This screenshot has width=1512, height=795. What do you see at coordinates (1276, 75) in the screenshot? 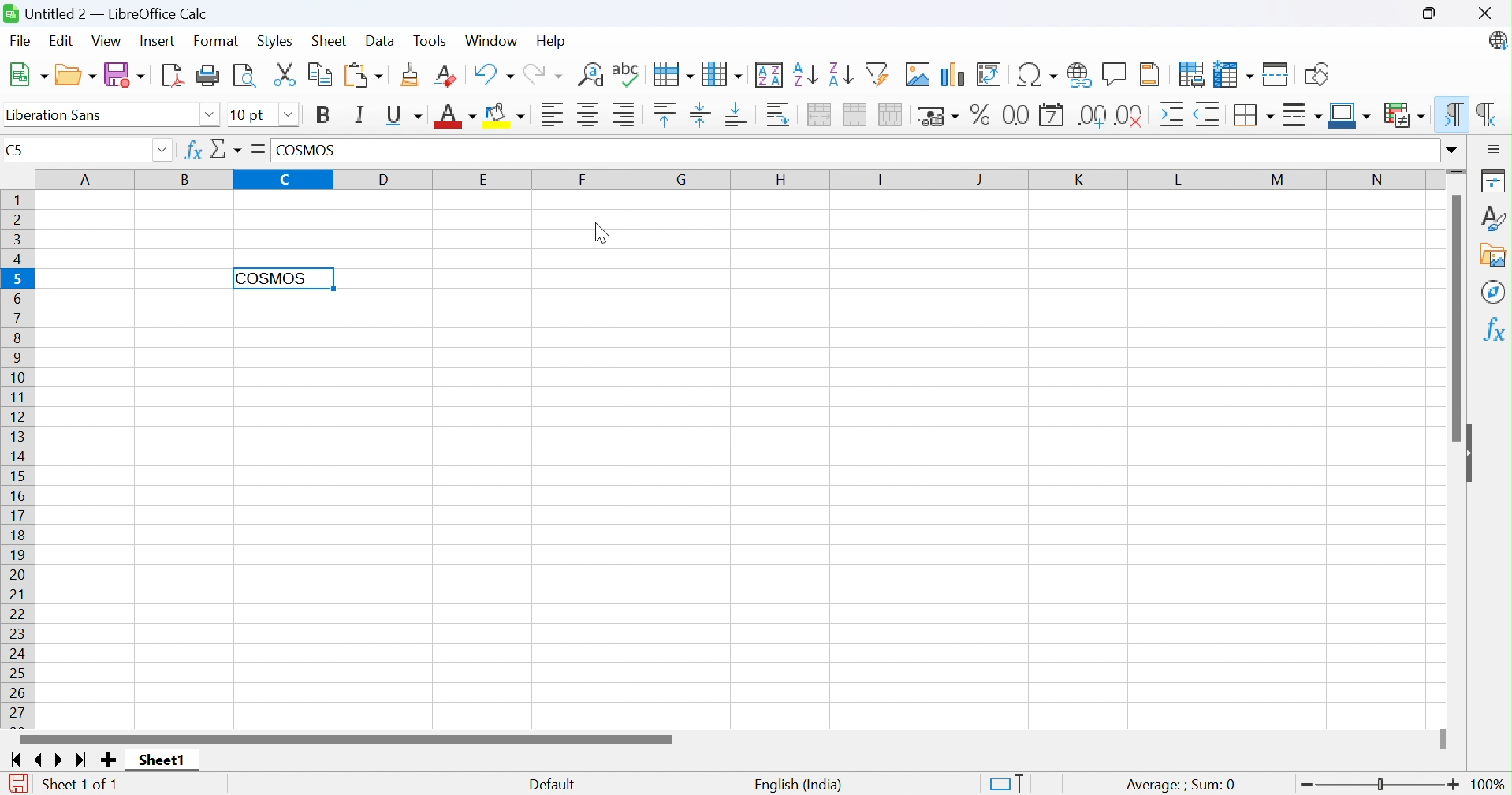
I see `Split window` at bounding box center [1276, 75].